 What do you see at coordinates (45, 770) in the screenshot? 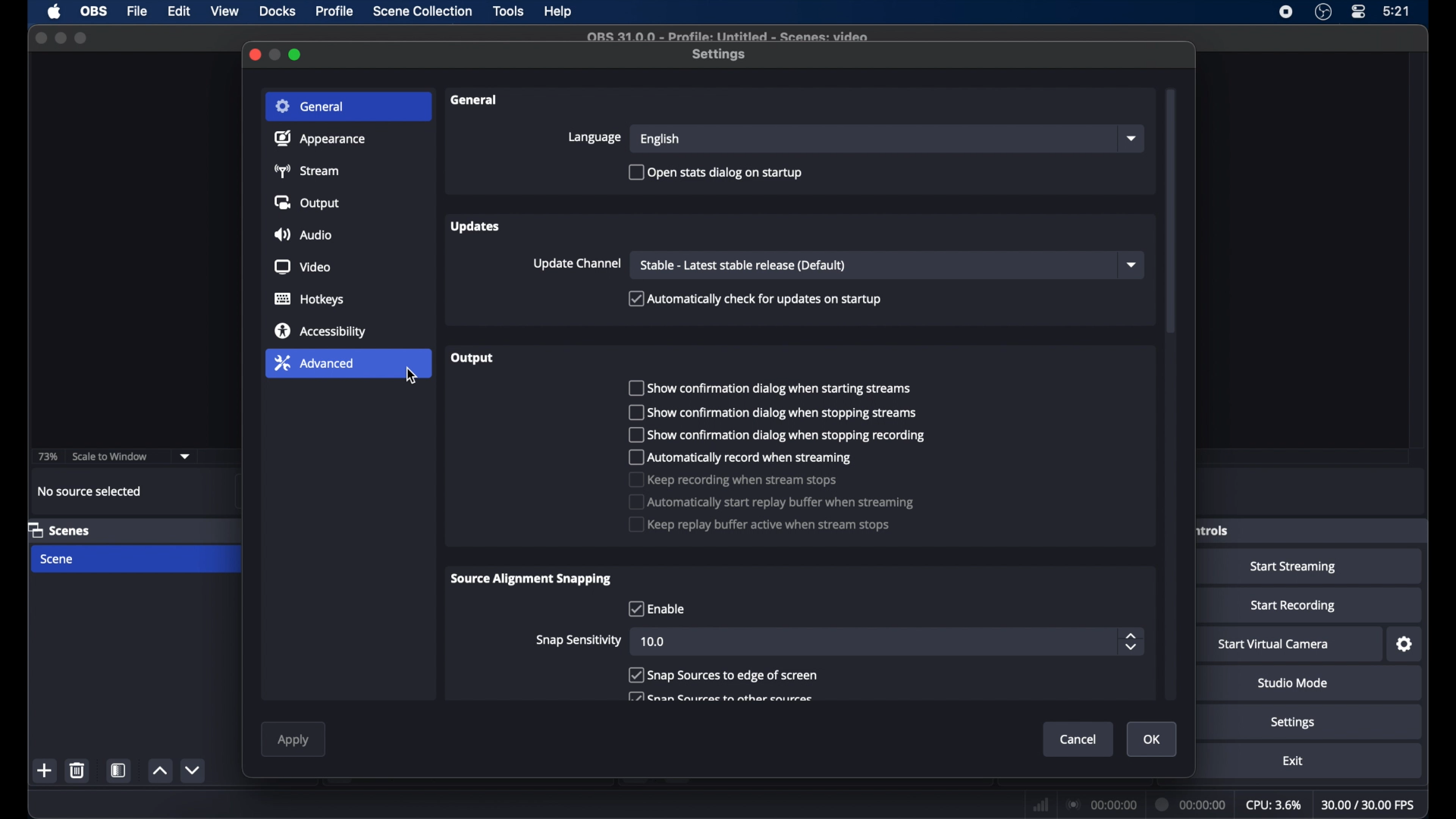
I see `add` at bounding box center [45, 770].